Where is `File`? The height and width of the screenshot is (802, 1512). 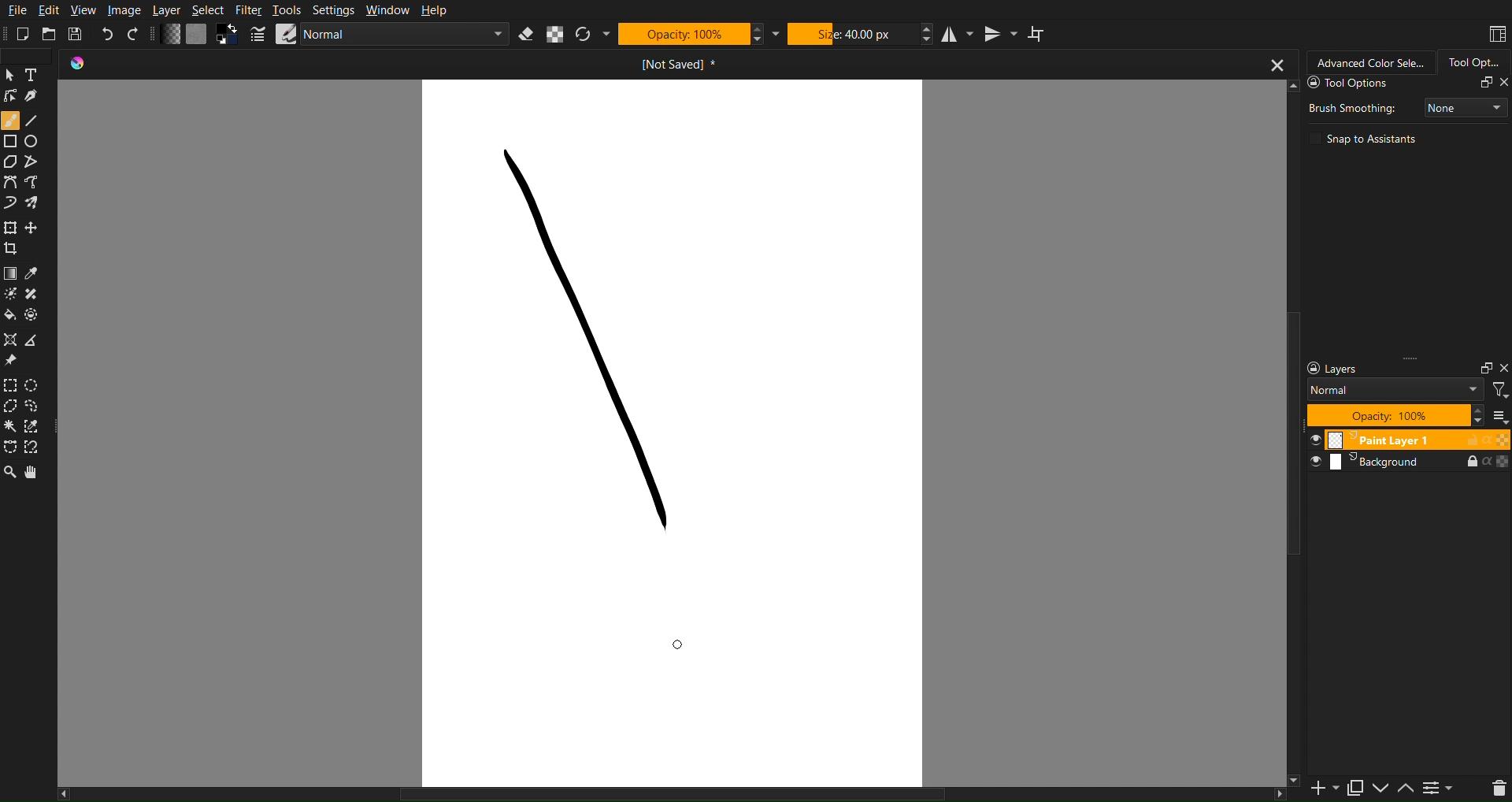 File is located at coordinates (15, 9).